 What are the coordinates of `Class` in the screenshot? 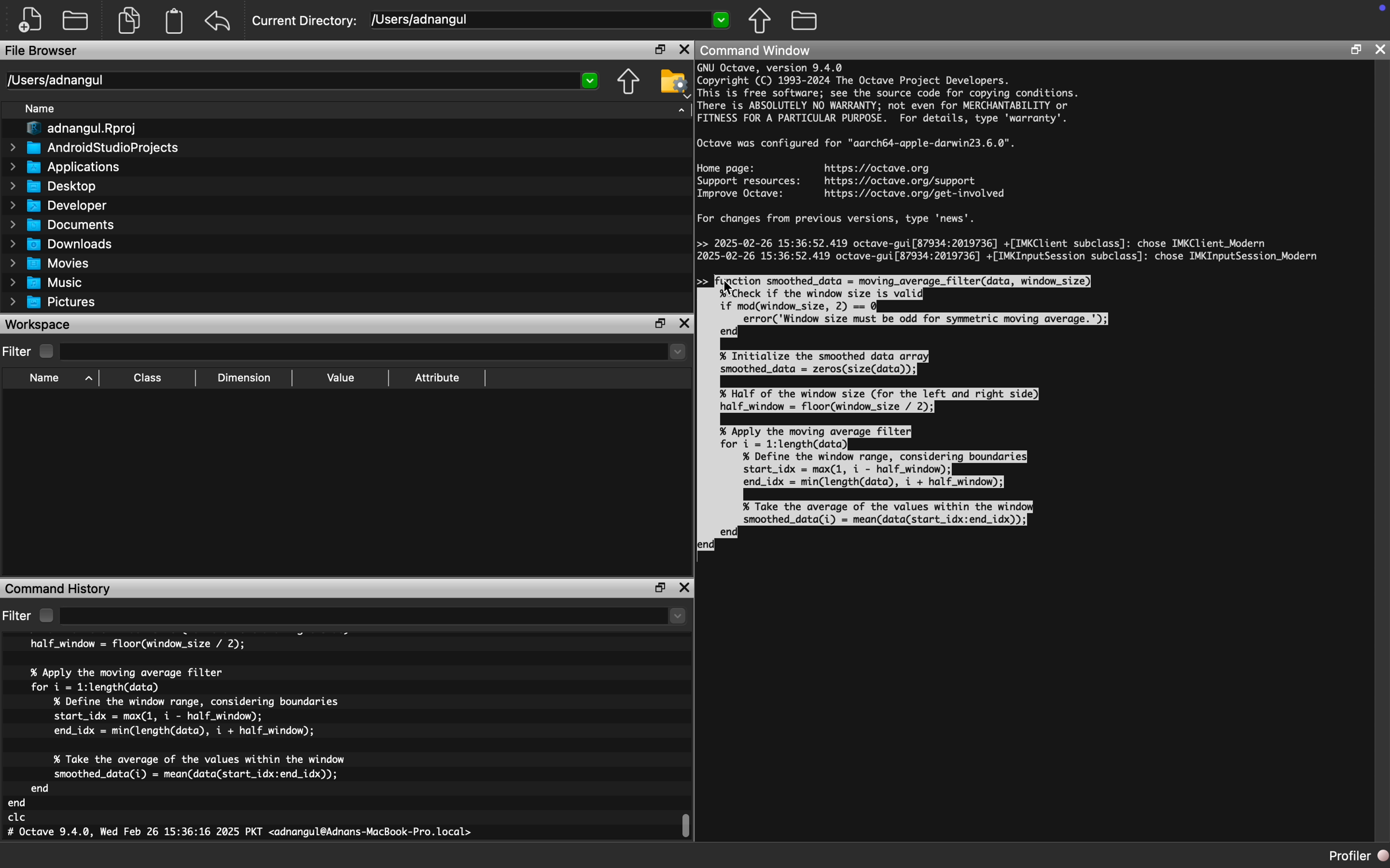 It's located at (148, 378).